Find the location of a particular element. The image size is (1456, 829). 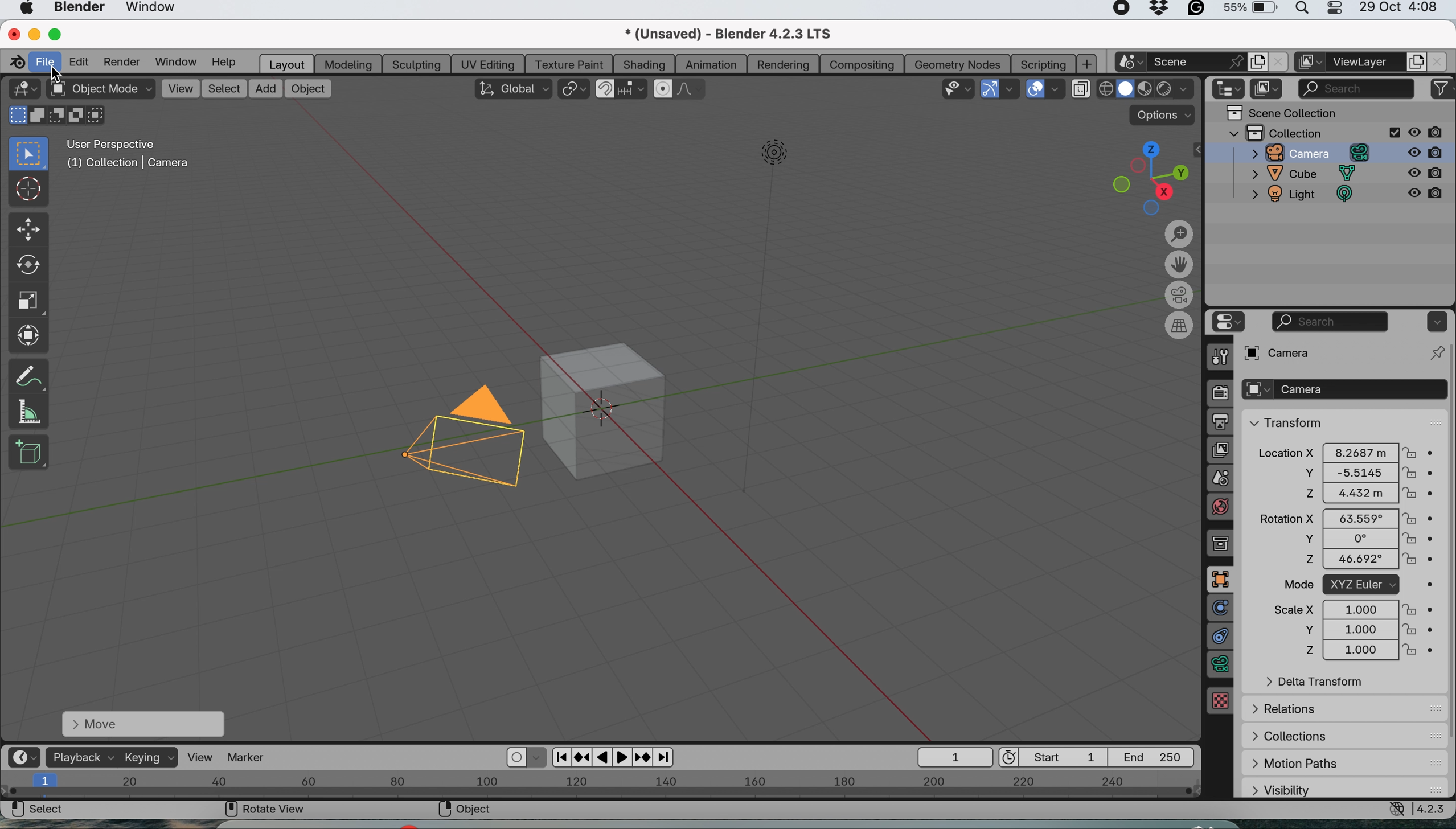

system logo is located at coordinates (26, 9).